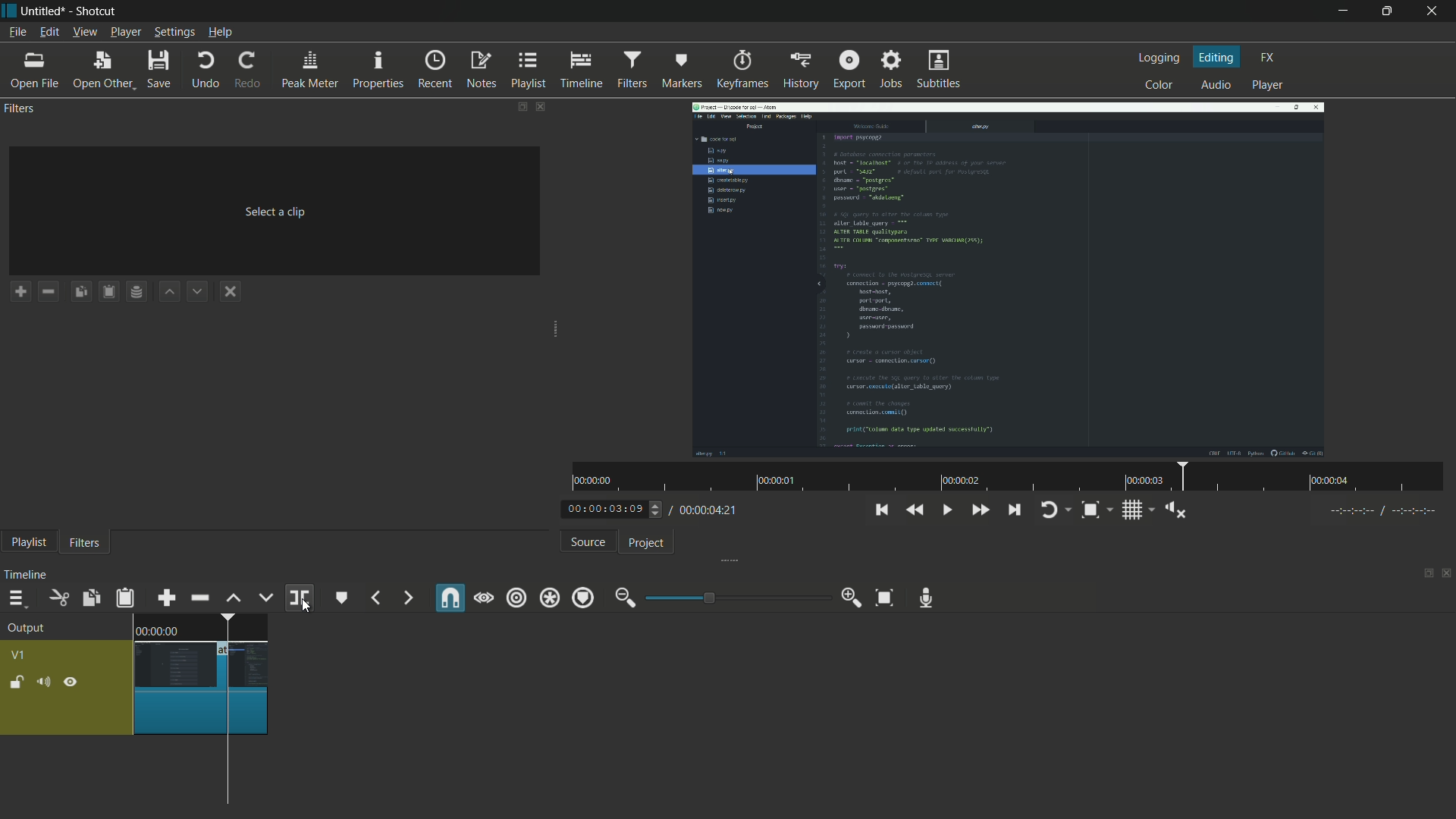 The width and height of the screenshot is (1456, 819). Describe the element at coordinates (58, 598) in the screenshot. I see `cut` at that location.